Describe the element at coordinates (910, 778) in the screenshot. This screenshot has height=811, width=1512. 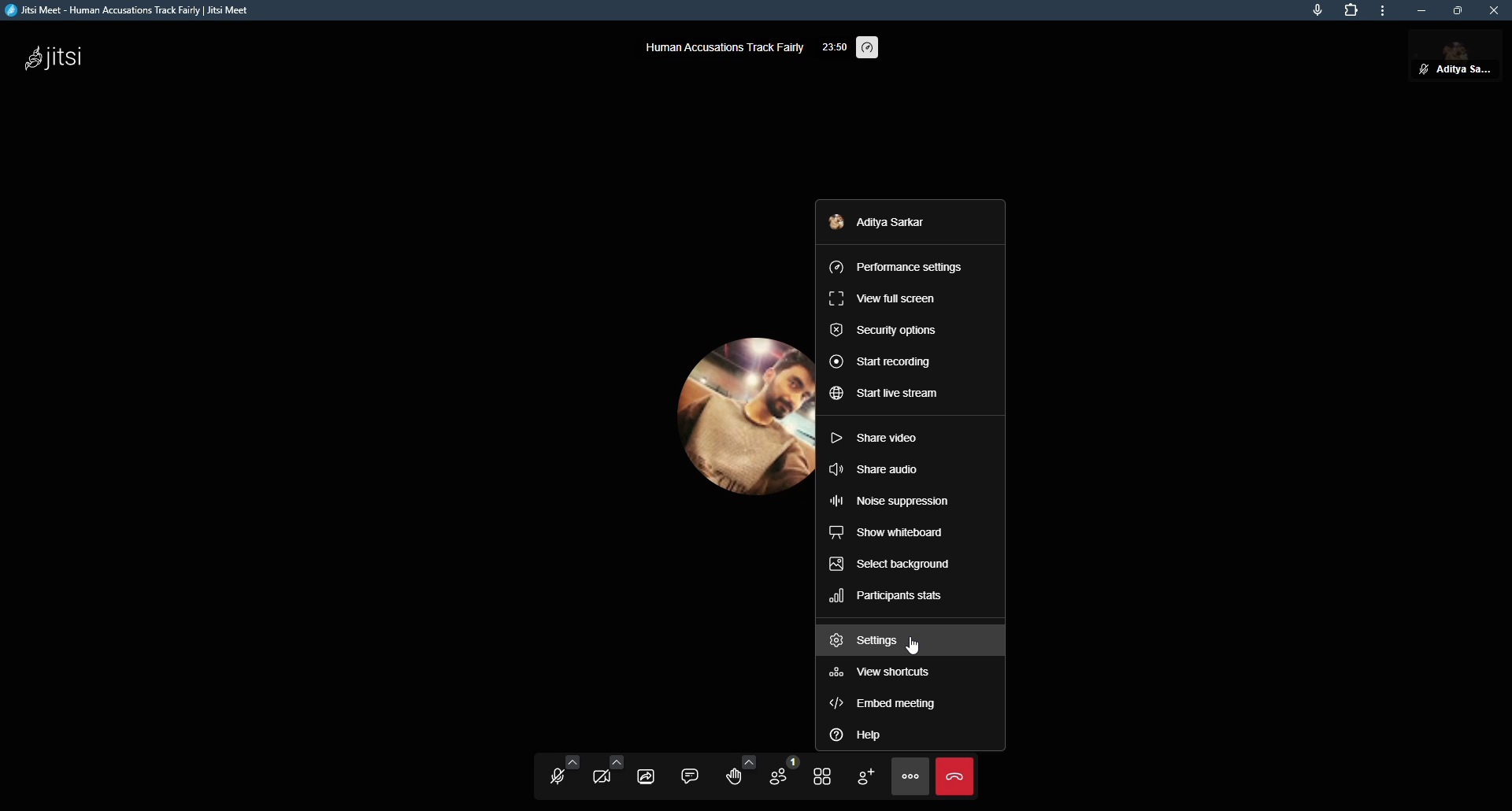
I see `more actions` at that location.